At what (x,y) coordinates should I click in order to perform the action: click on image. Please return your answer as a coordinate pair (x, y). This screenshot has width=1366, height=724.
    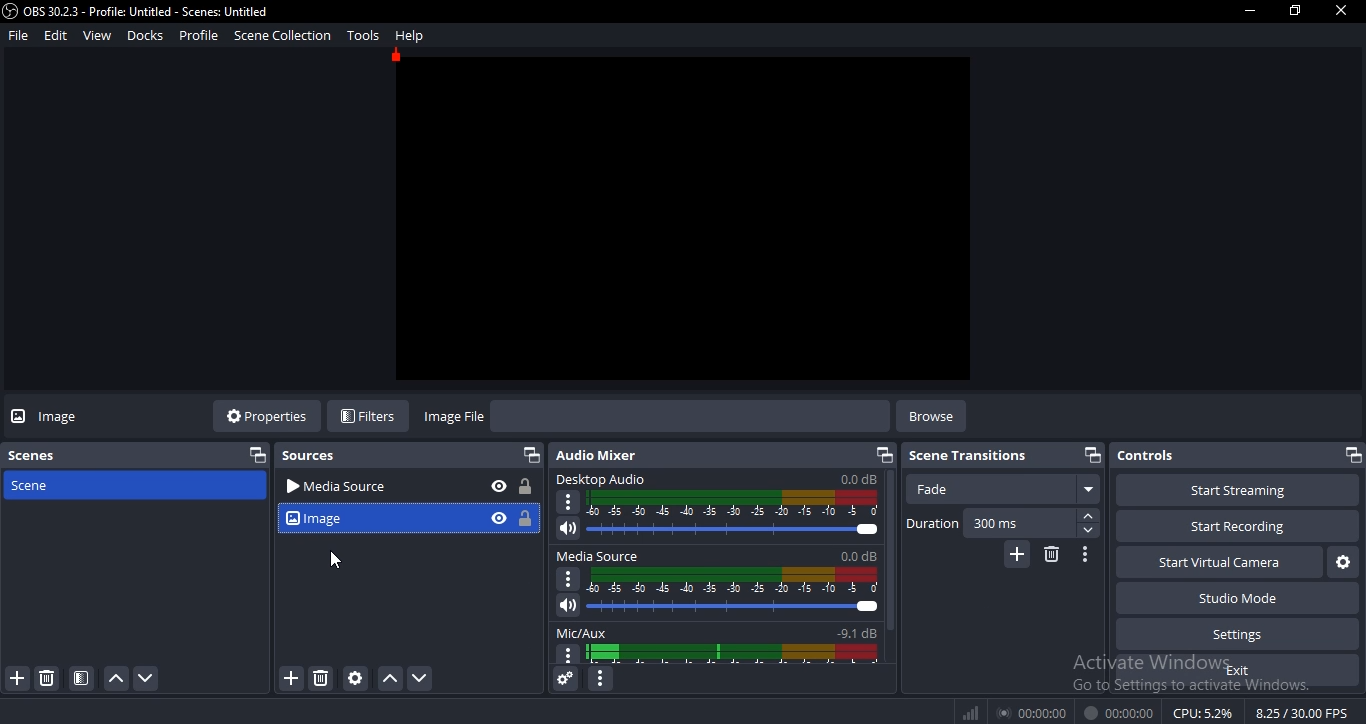
    Looking at the image, I should click on (67, 420).